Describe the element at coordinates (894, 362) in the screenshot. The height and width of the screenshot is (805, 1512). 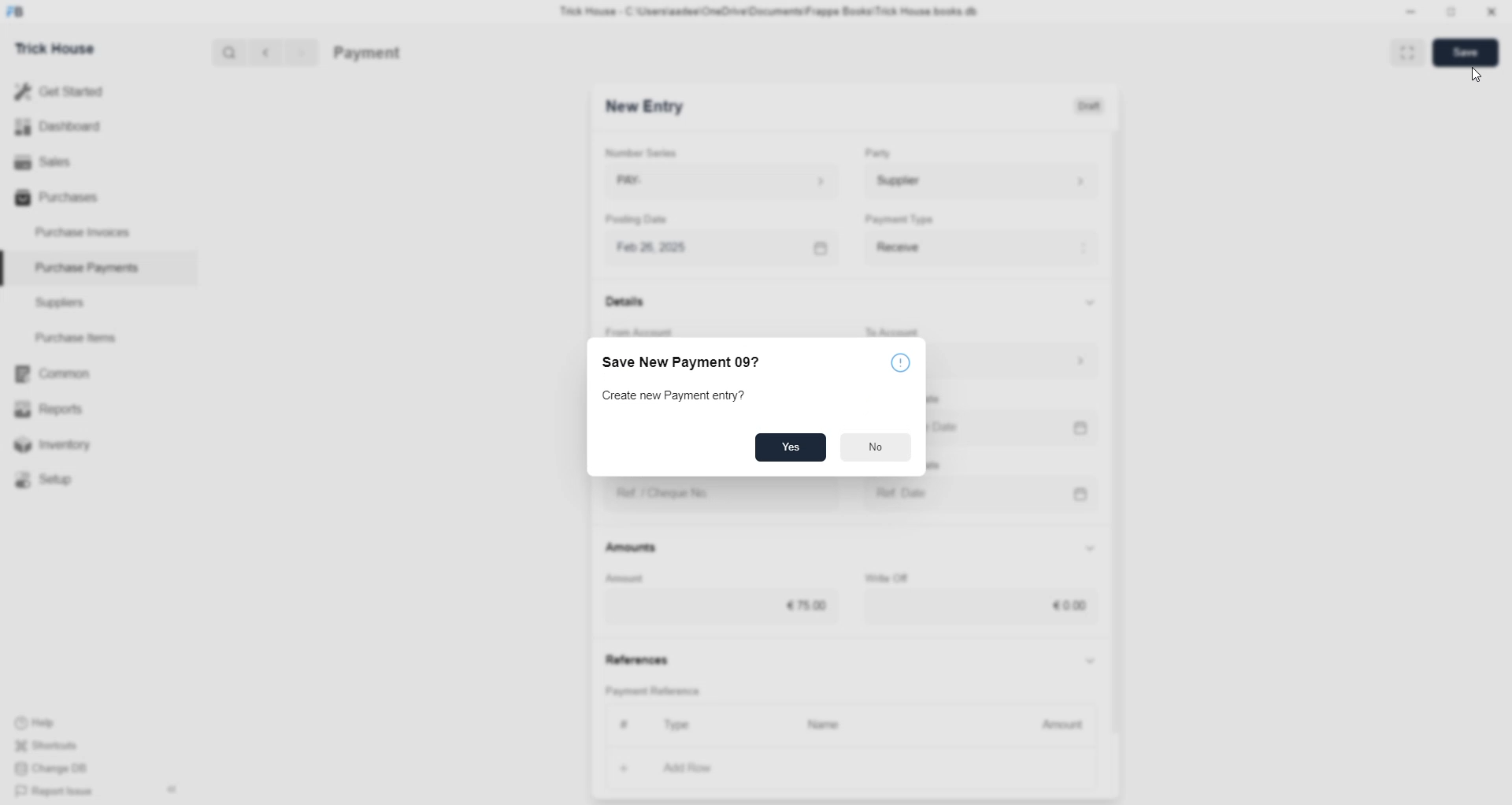
I see `icon` at that location.